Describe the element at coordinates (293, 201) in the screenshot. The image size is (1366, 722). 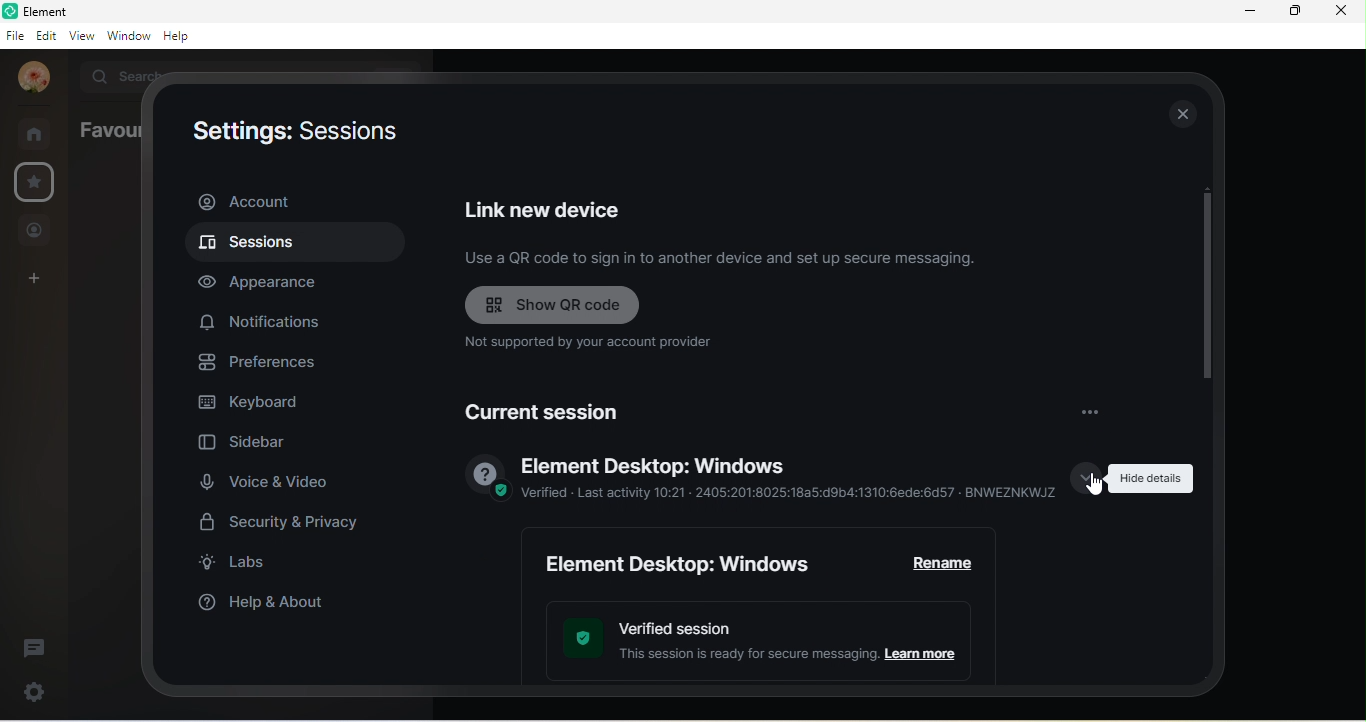
I see `account` at that location.